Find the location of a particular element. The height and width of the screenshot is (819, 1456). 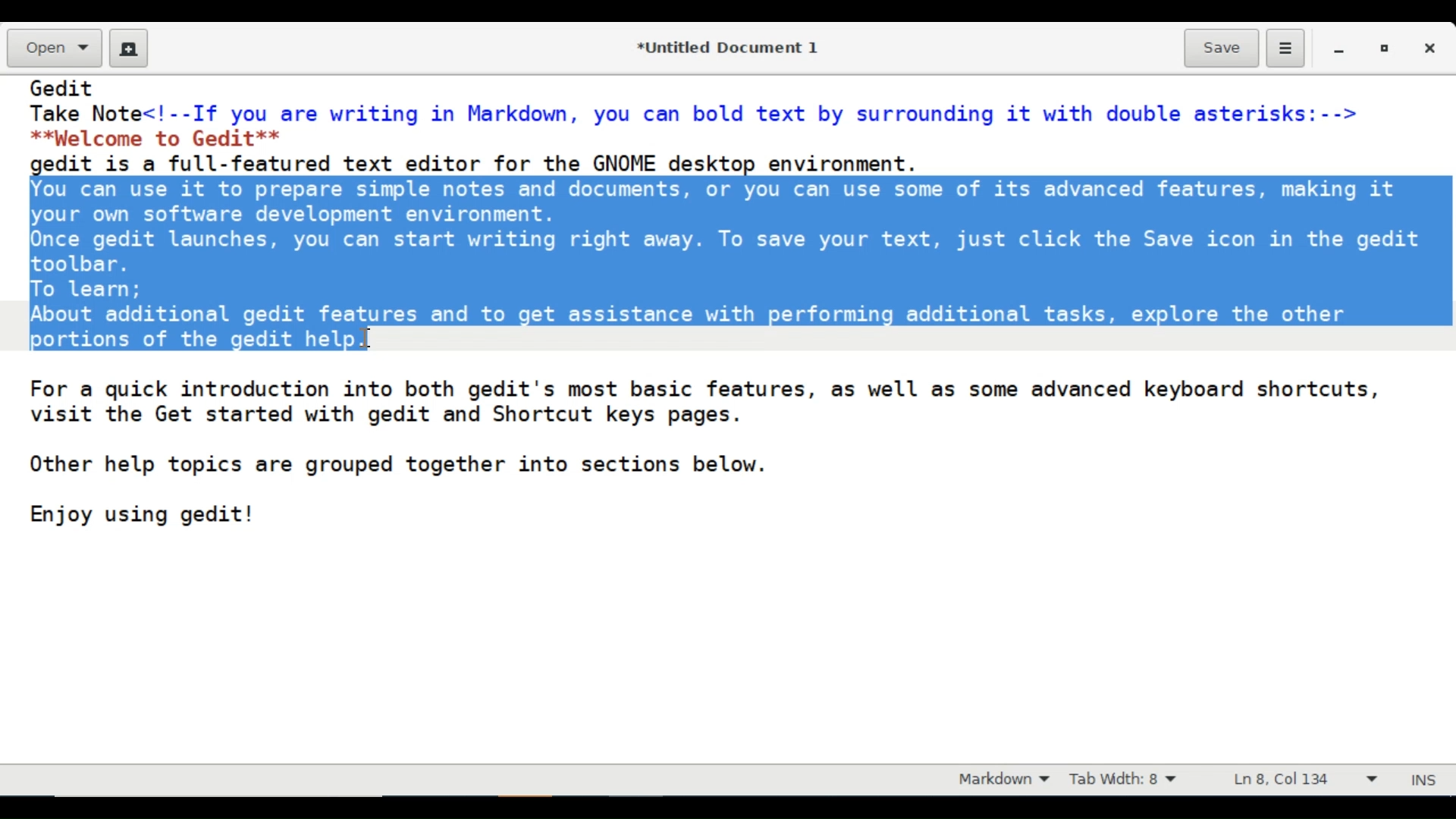

Gedit Take Note<!--If you are writing in Markdown, you can bold text by surrounding it with double asterisks:--> **Welcome to Gedit** gedit is a full-featured text editor for the GNOME desktop environment. You can use it to prepare simple notes and documents, or you can use some of its advanced features, making it your own software development environment is located at coordinates (725, 420).